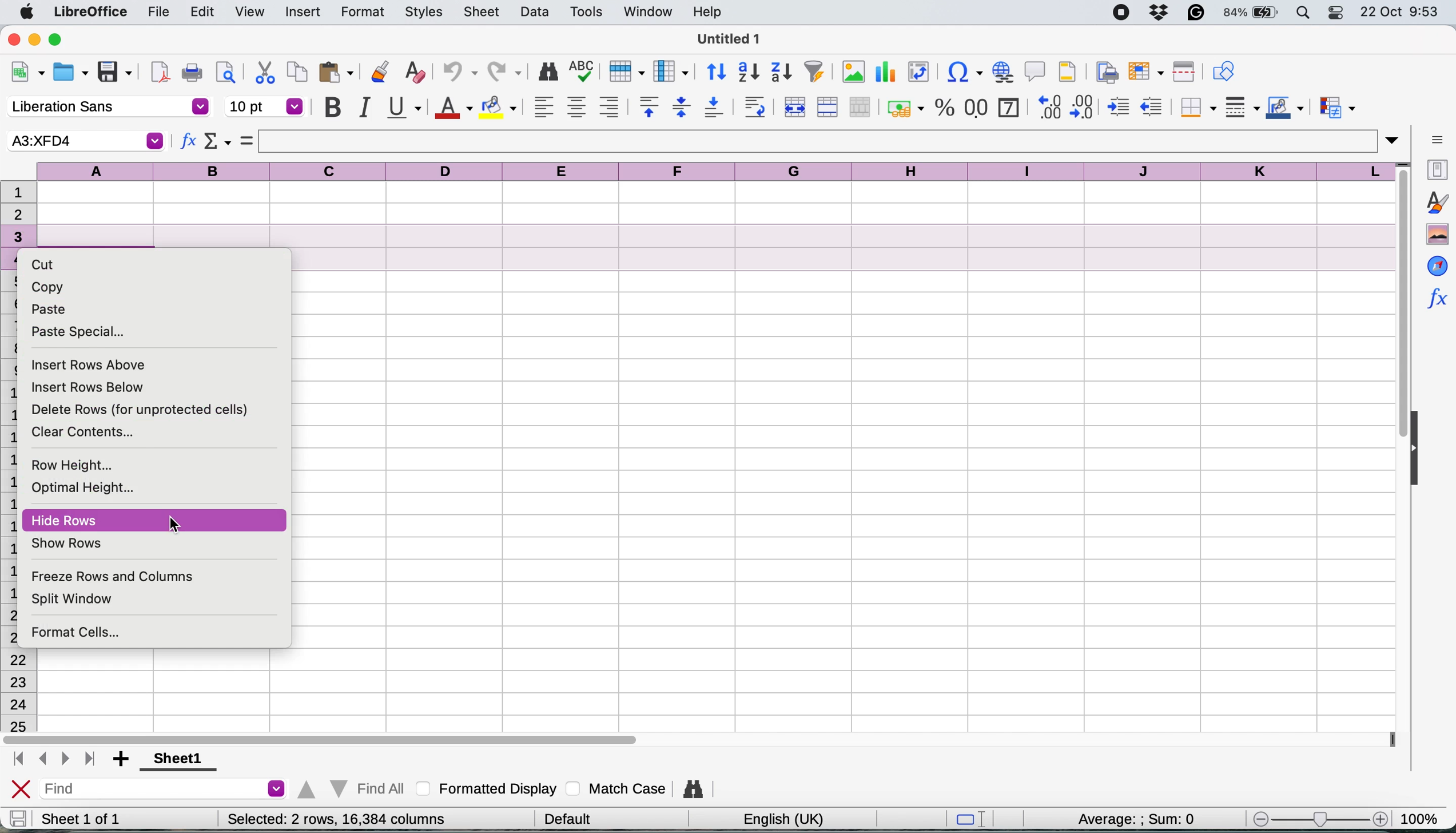  What do you see at coordinates (166, 790) in the screenshot?
I see `find` at bounding box center [166, 790].